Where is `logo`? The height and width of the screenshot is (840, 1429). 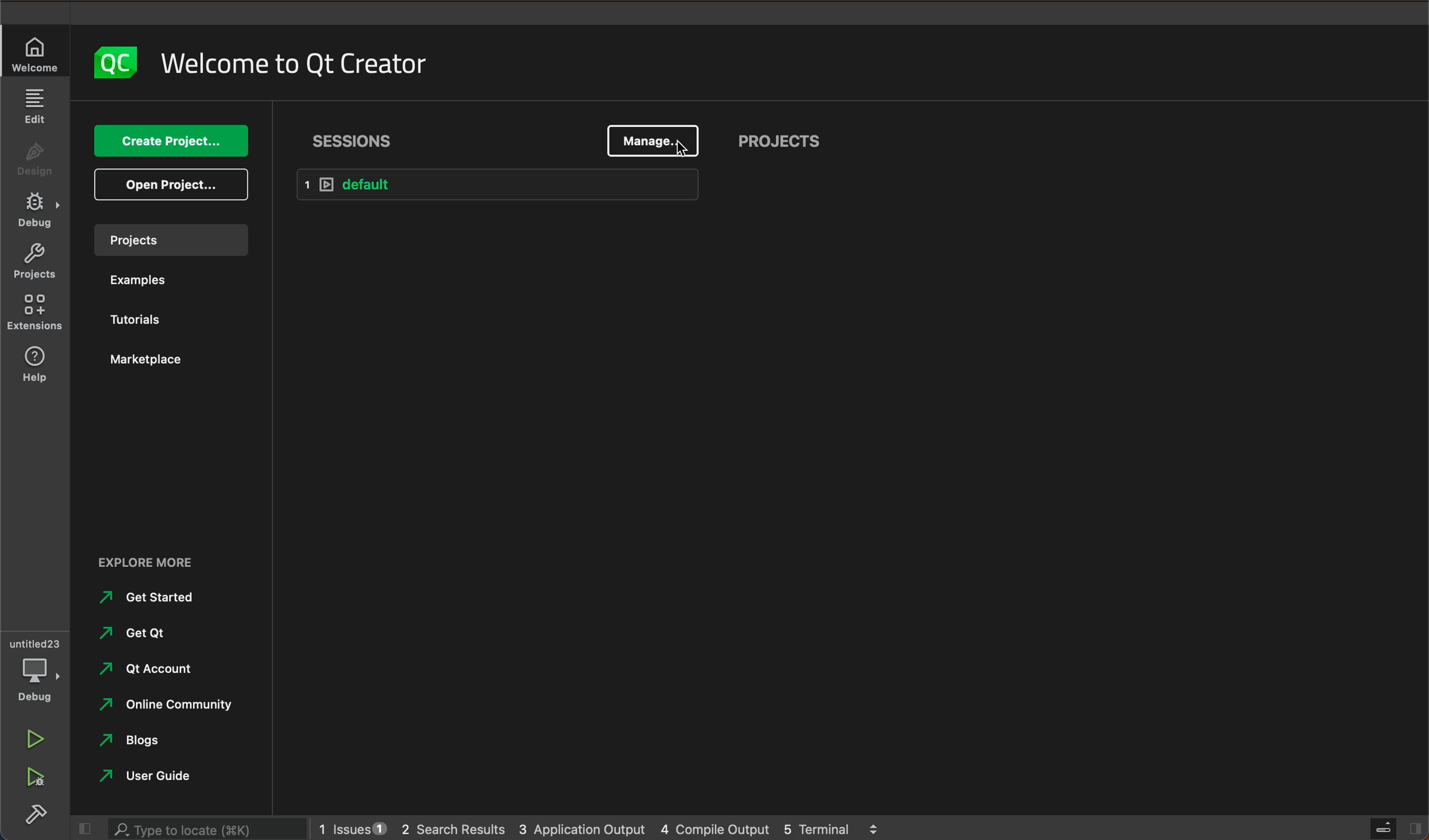
logo is located at coordinates (113, 62).